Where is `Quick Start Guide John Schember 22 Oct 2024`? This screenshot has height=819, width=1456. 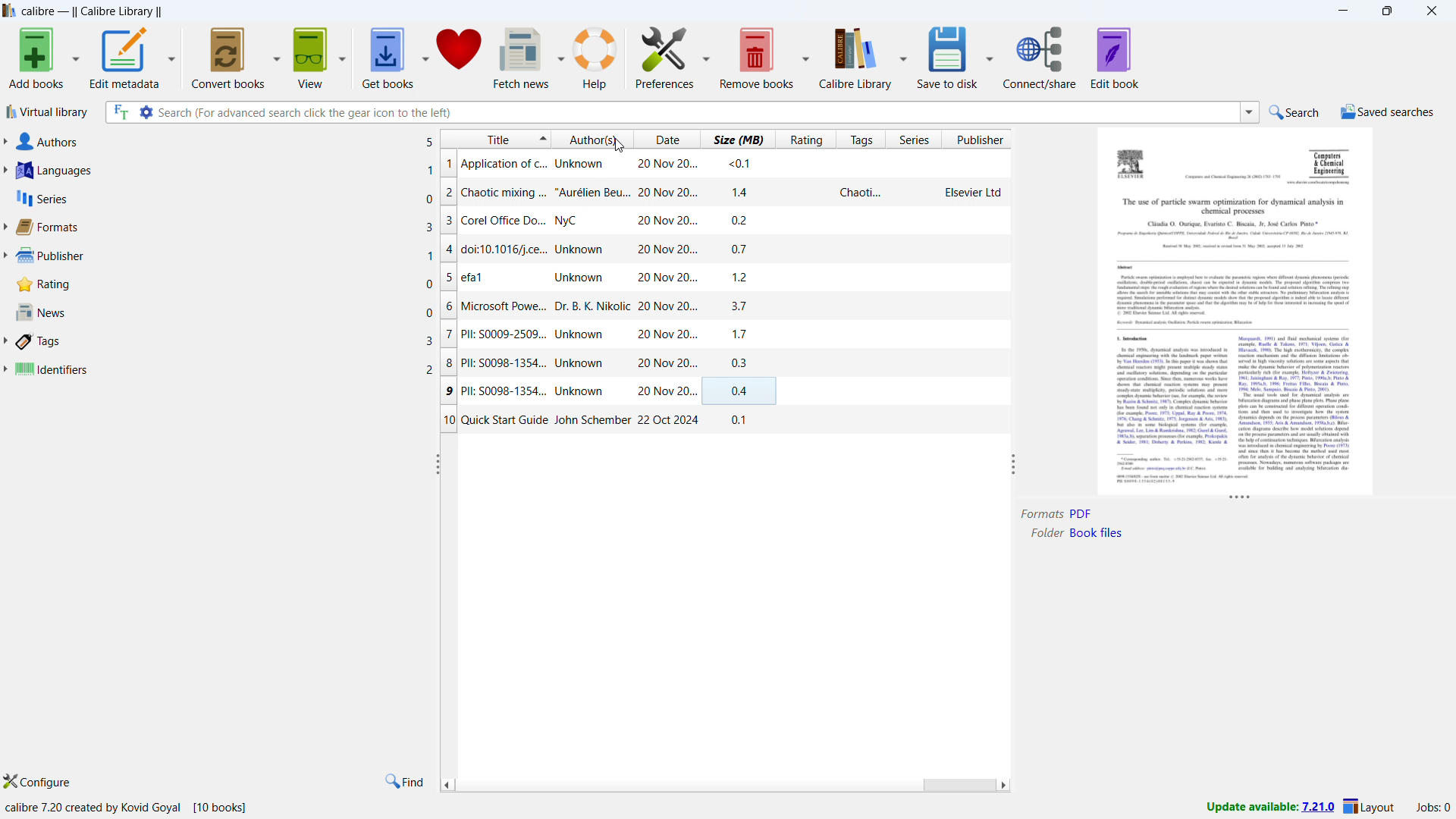 Quick Start Guide John Schember 22 Oct 2024 is located at coordinates (581, 419).